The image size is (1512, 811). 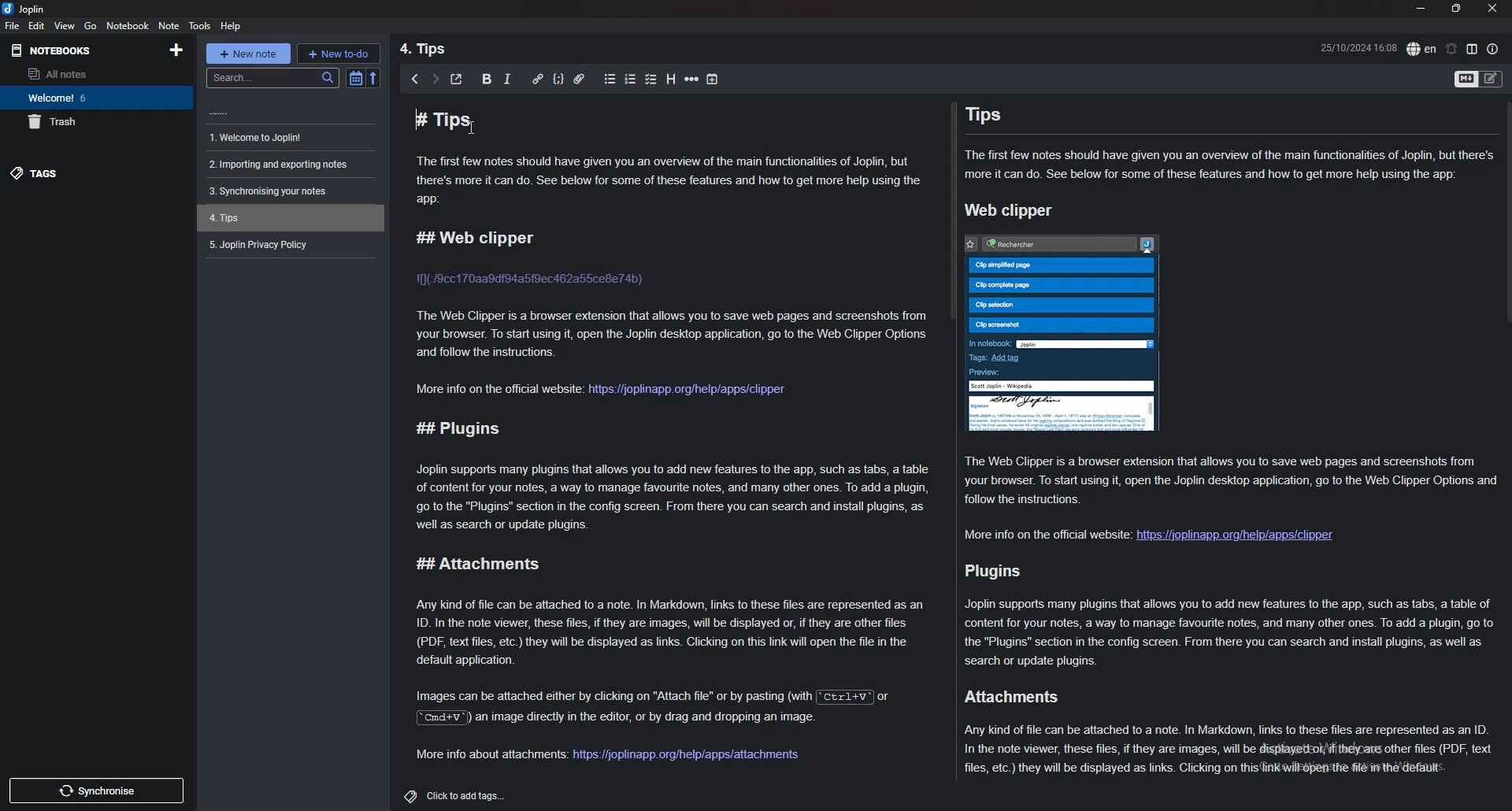 What do you see at coordinates (581, 78) in the screenshot?
I see `attach file` at bounding box center [581, 78].